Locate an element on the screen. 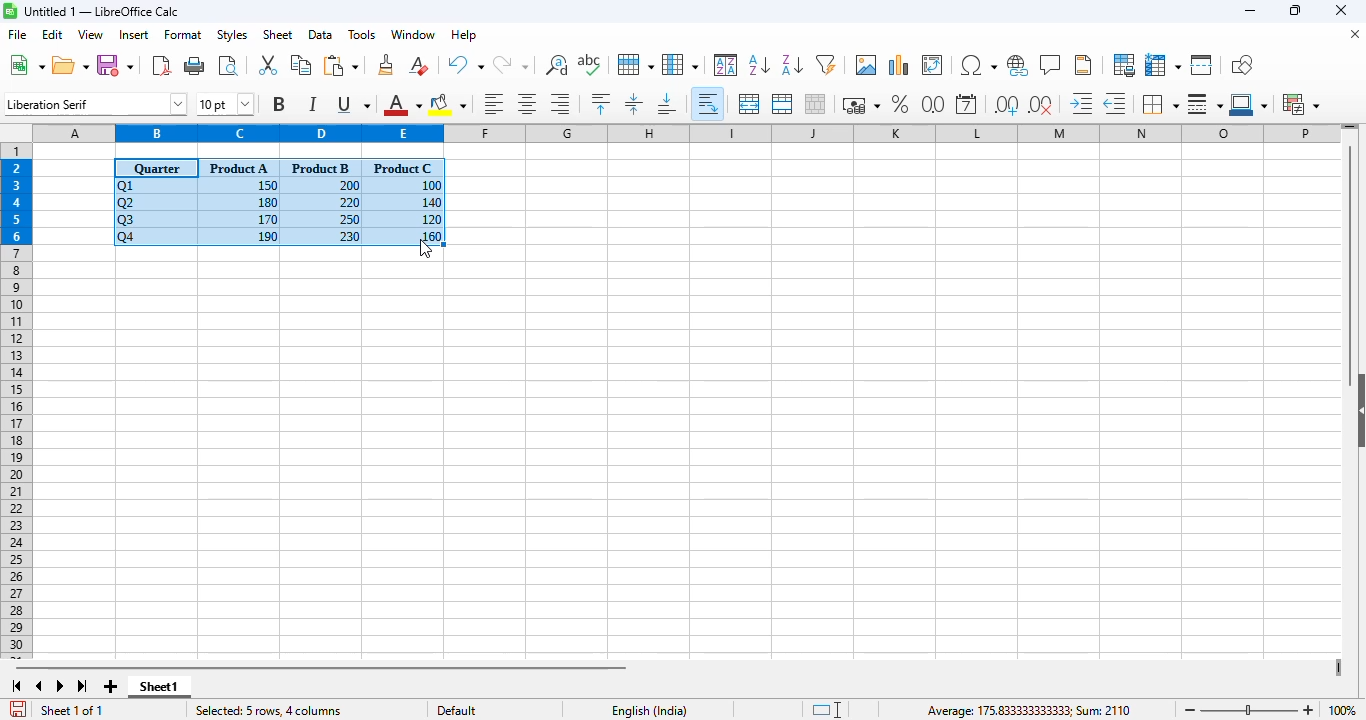  edit is located at coordinates (53, 34).